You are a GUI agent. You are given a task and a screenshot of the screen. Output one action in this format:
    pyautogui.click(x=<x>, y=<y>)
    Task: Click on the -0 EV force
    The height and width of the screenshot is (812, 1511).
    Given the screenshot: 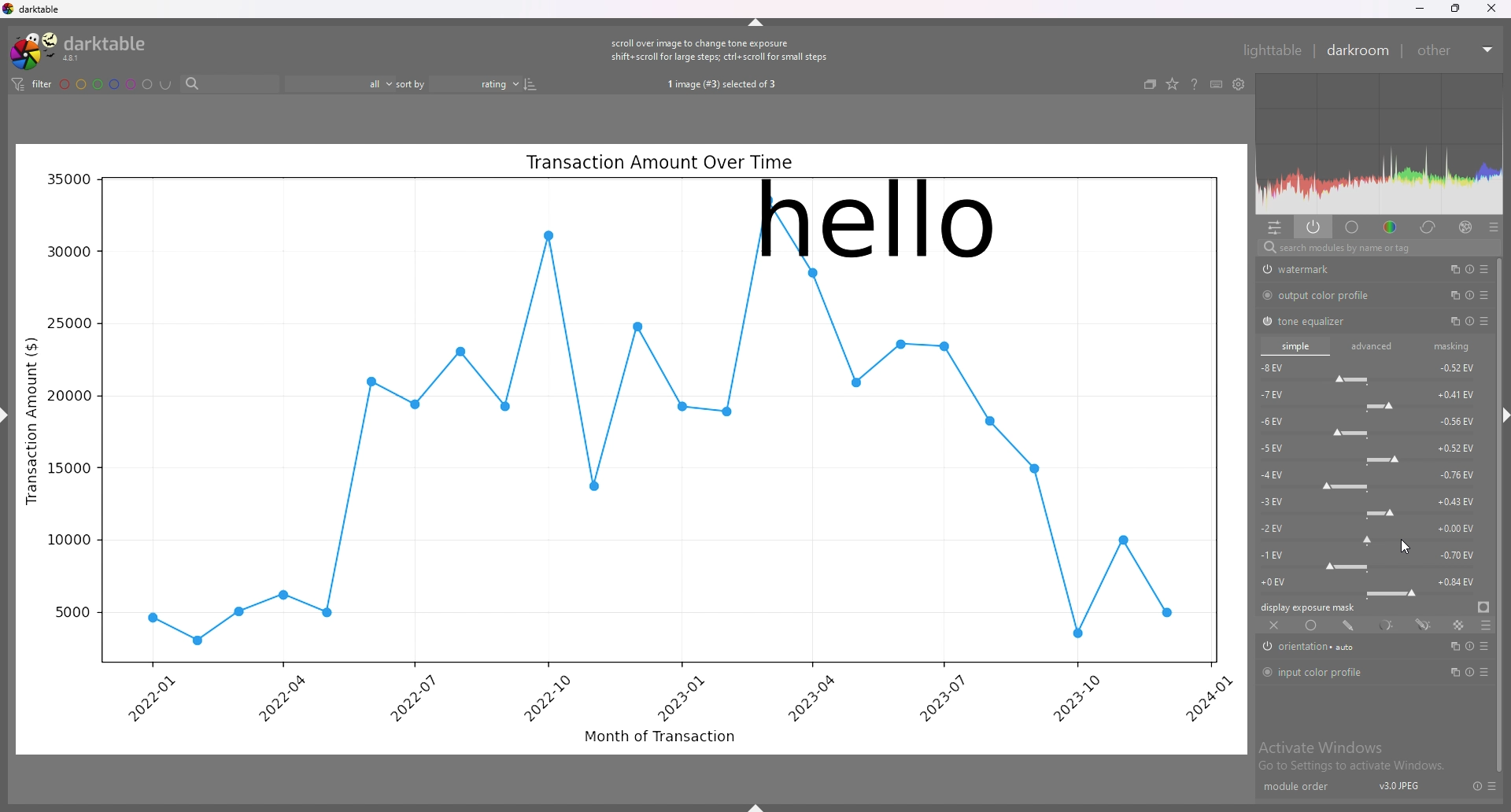 What is the action you would take?
    pyautogui.click(x=1372, y=585)
    